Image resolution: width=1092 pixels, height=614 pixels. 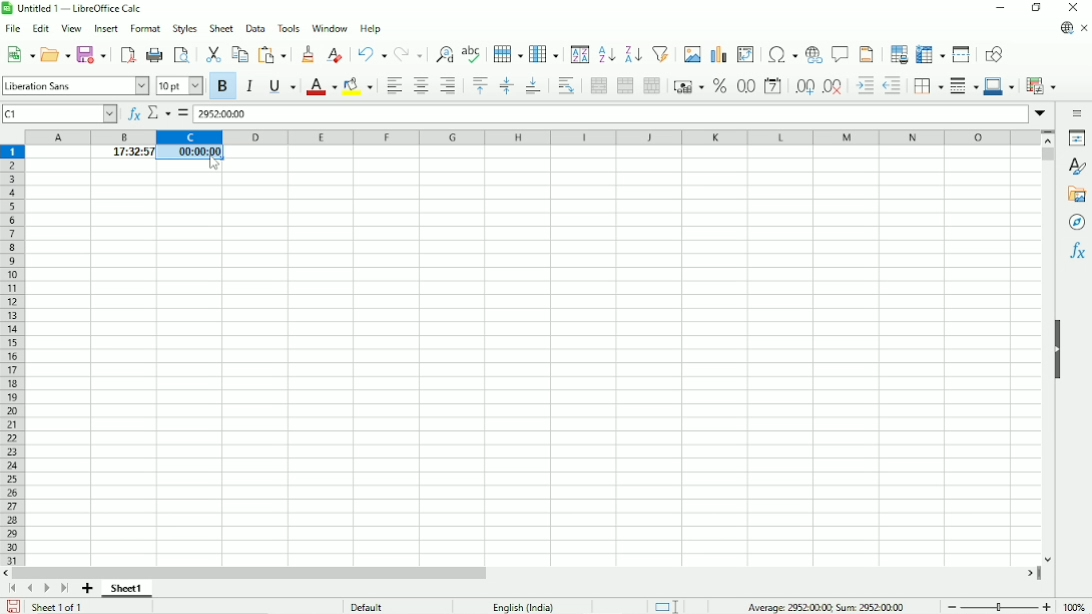 What do you see at coordinates (185, 29) in the screenshot?
I see `Styles` at bounding box center [185, 29].